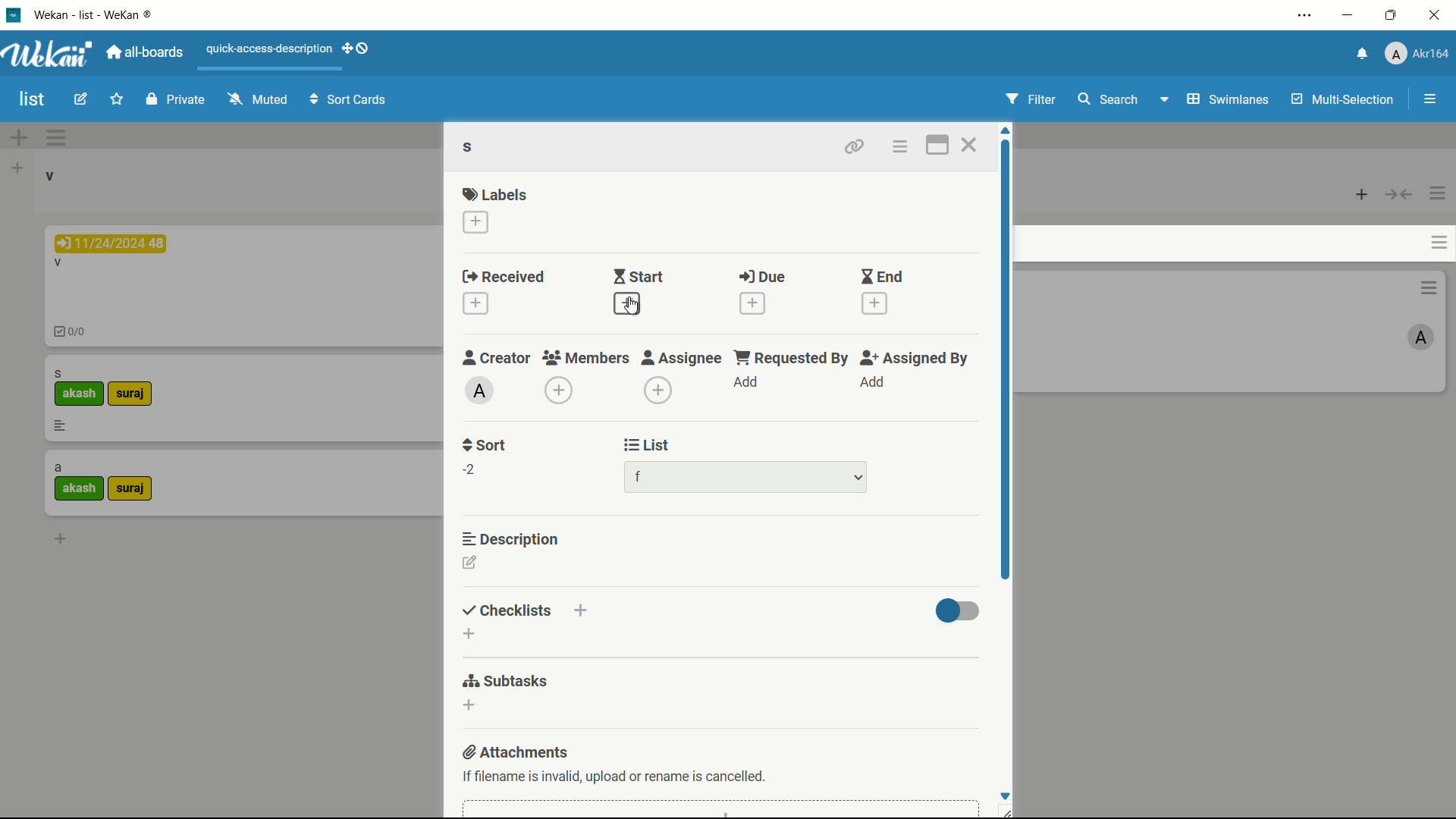 This screenshot has width=1456, height=819. What do you see at coordinates (130, 490) in the screenshot?
I see `label-2` at bounding box center [130, 490].